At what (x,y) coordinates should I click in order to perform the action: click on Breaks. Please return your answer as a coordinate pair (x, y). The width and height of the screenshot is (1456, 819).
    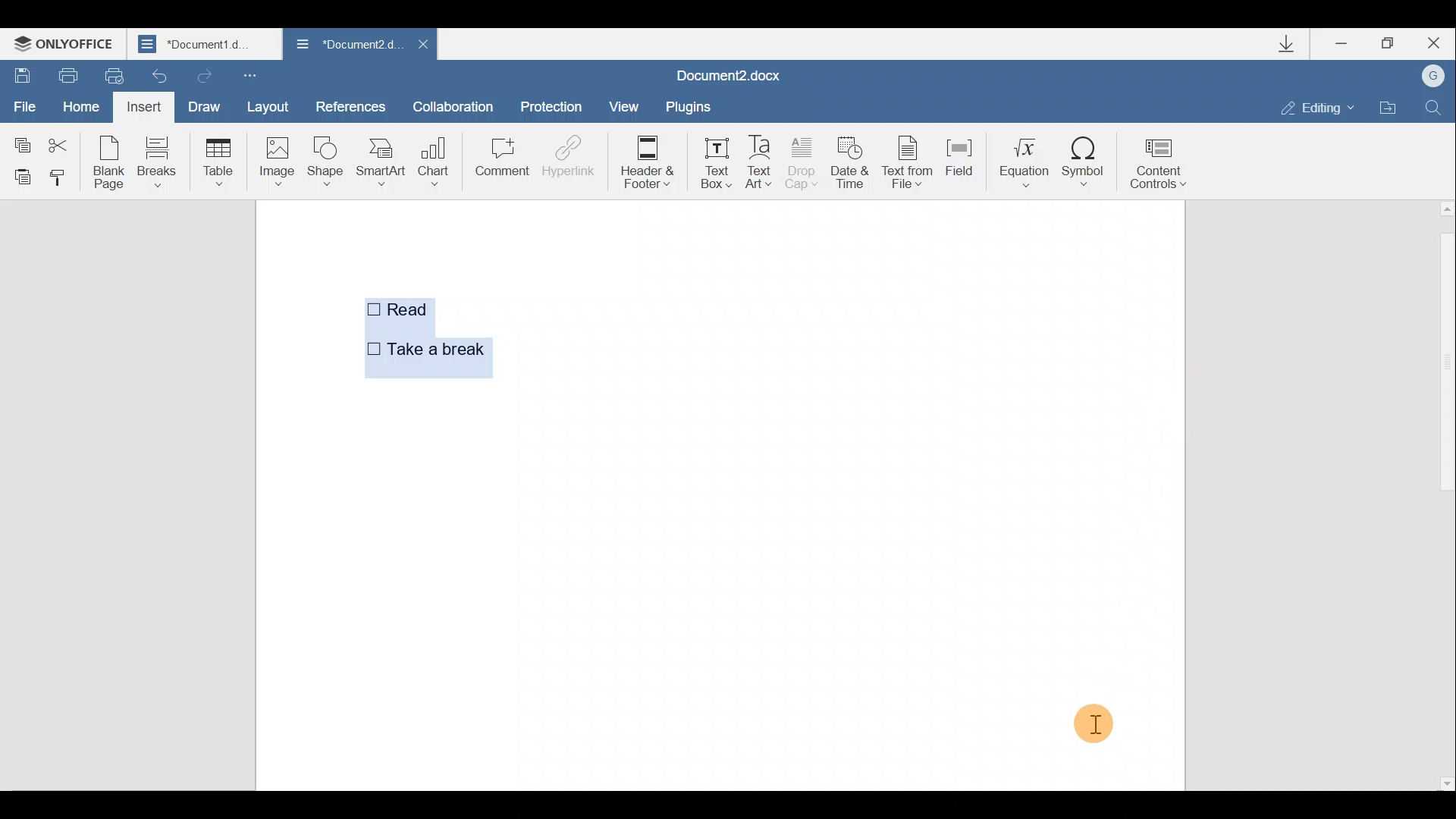
    Looking at the image, I should click on (158, 161).